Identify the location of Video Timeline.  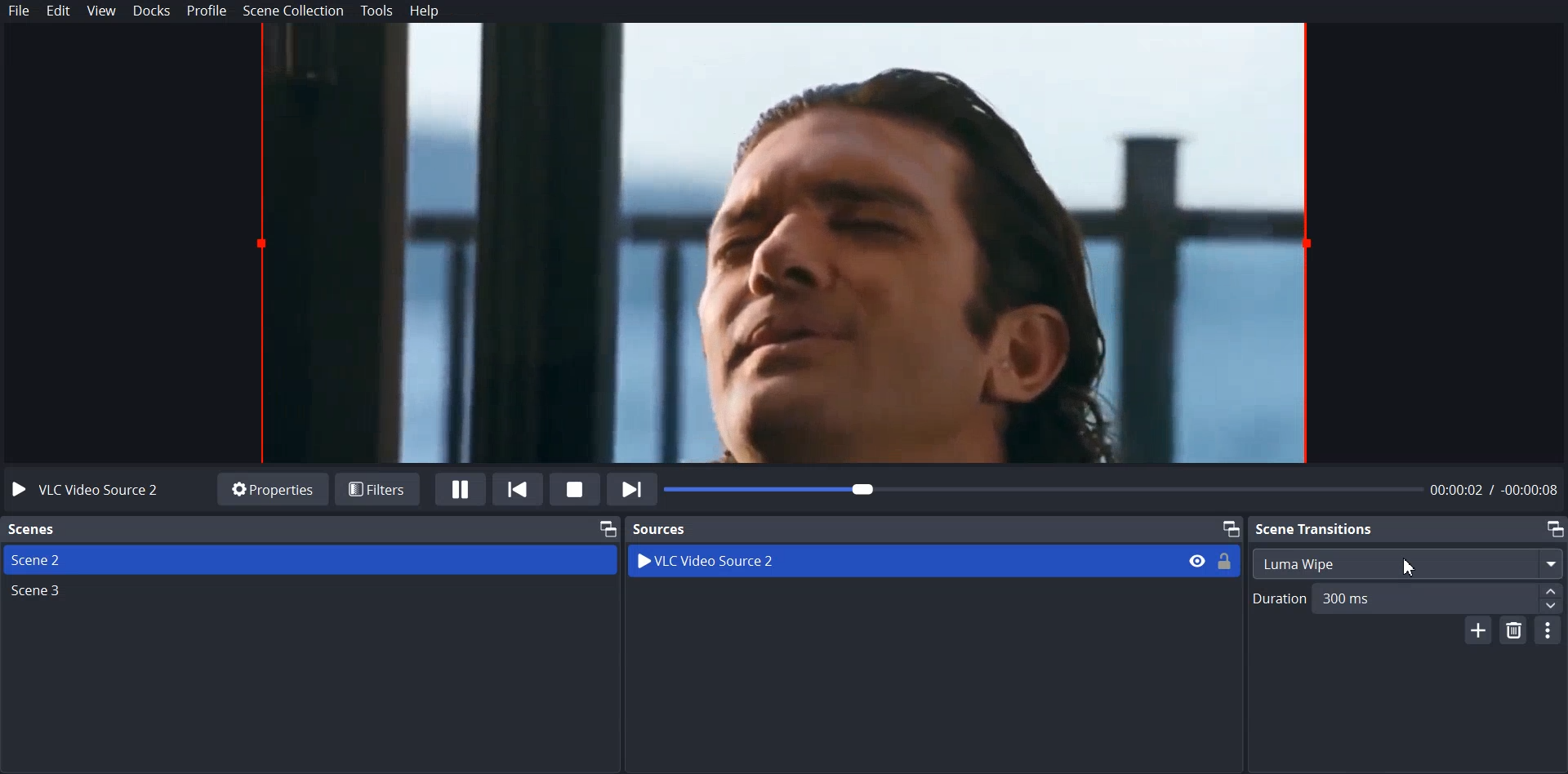
(1115, 491).